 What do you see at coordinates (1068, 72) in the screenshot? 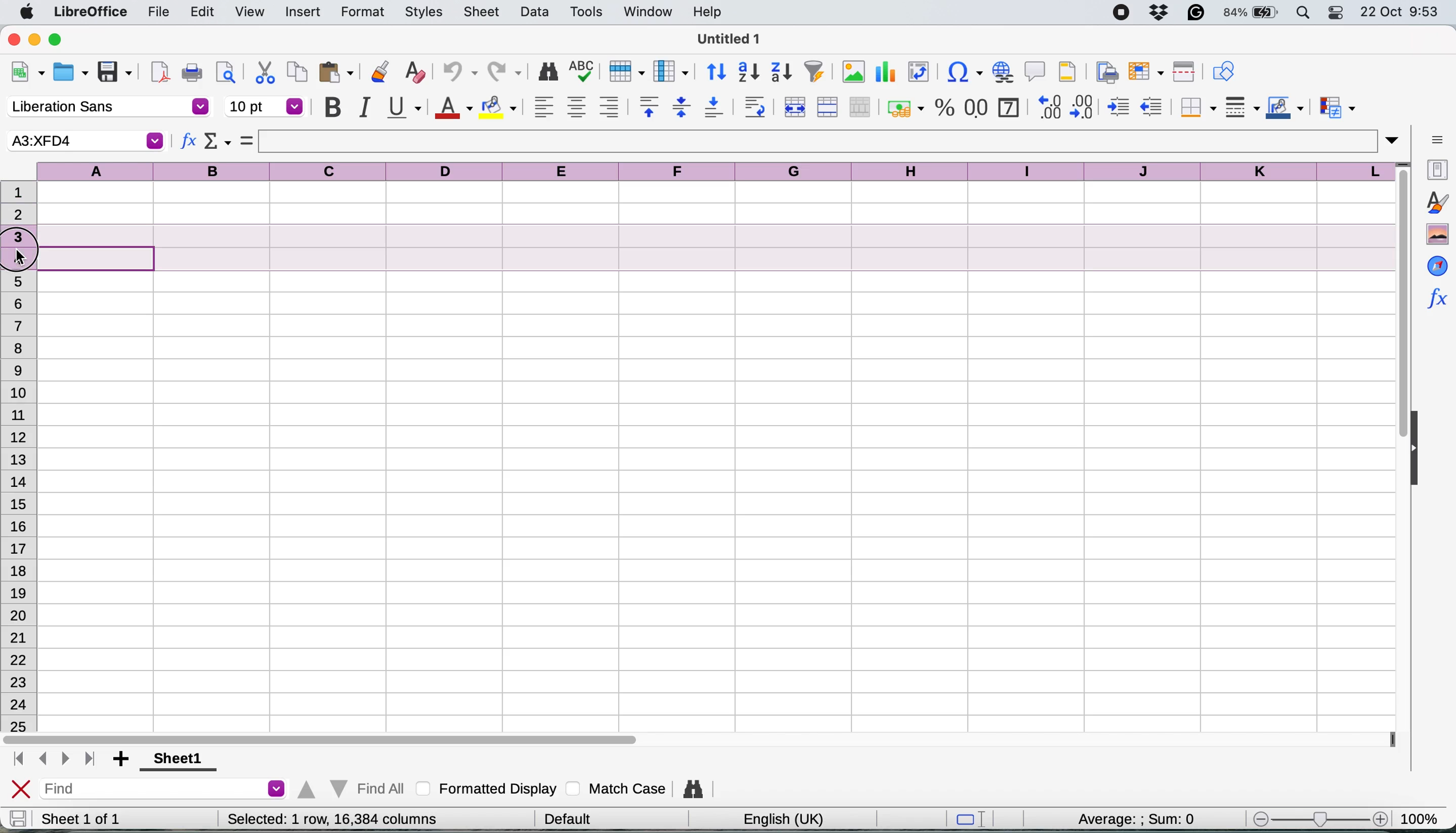
I see `headers and footers` at bounding box center [1068, 72].